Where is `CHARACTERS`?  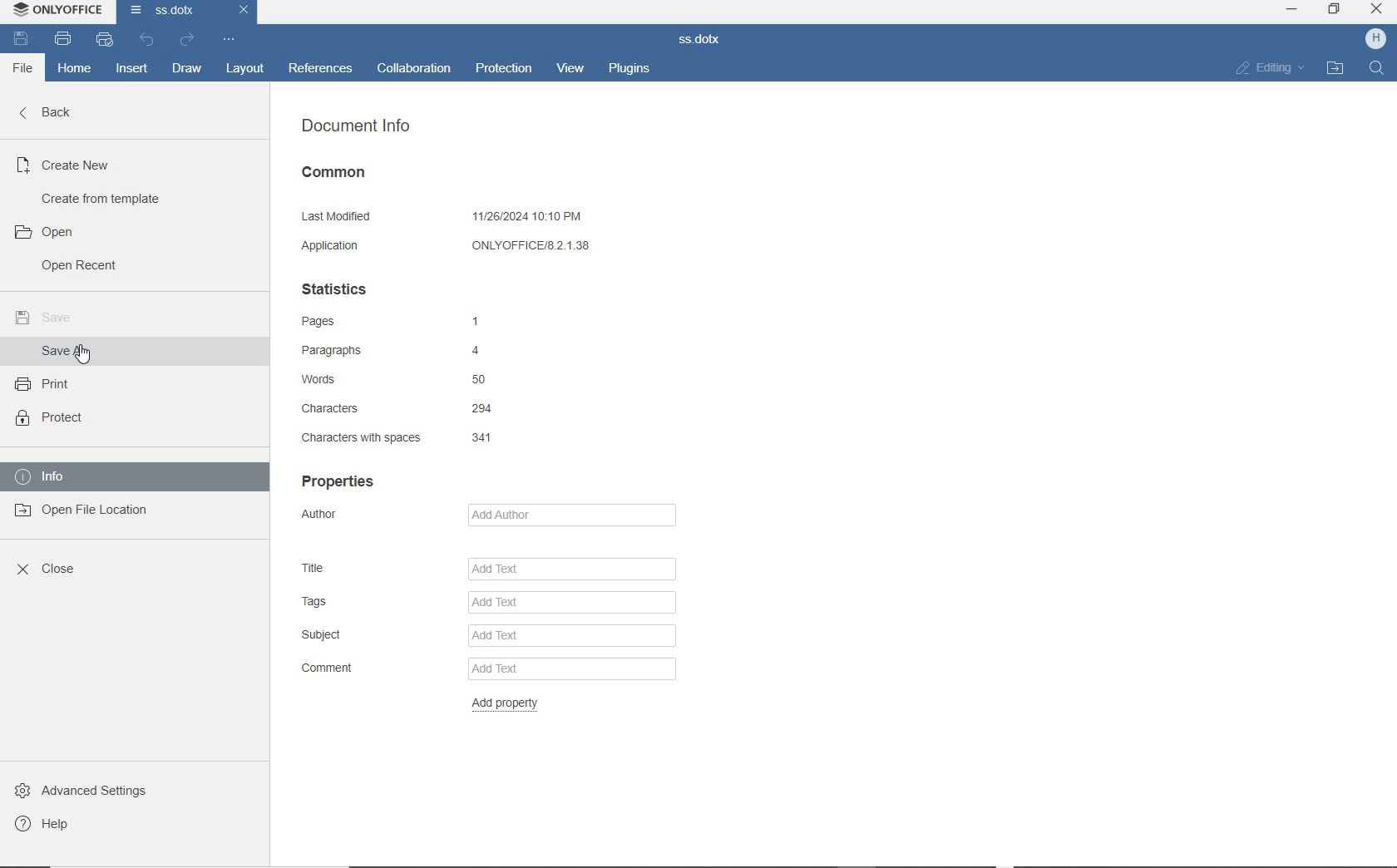 CHARACTERS is located at coordinates (396, 407).